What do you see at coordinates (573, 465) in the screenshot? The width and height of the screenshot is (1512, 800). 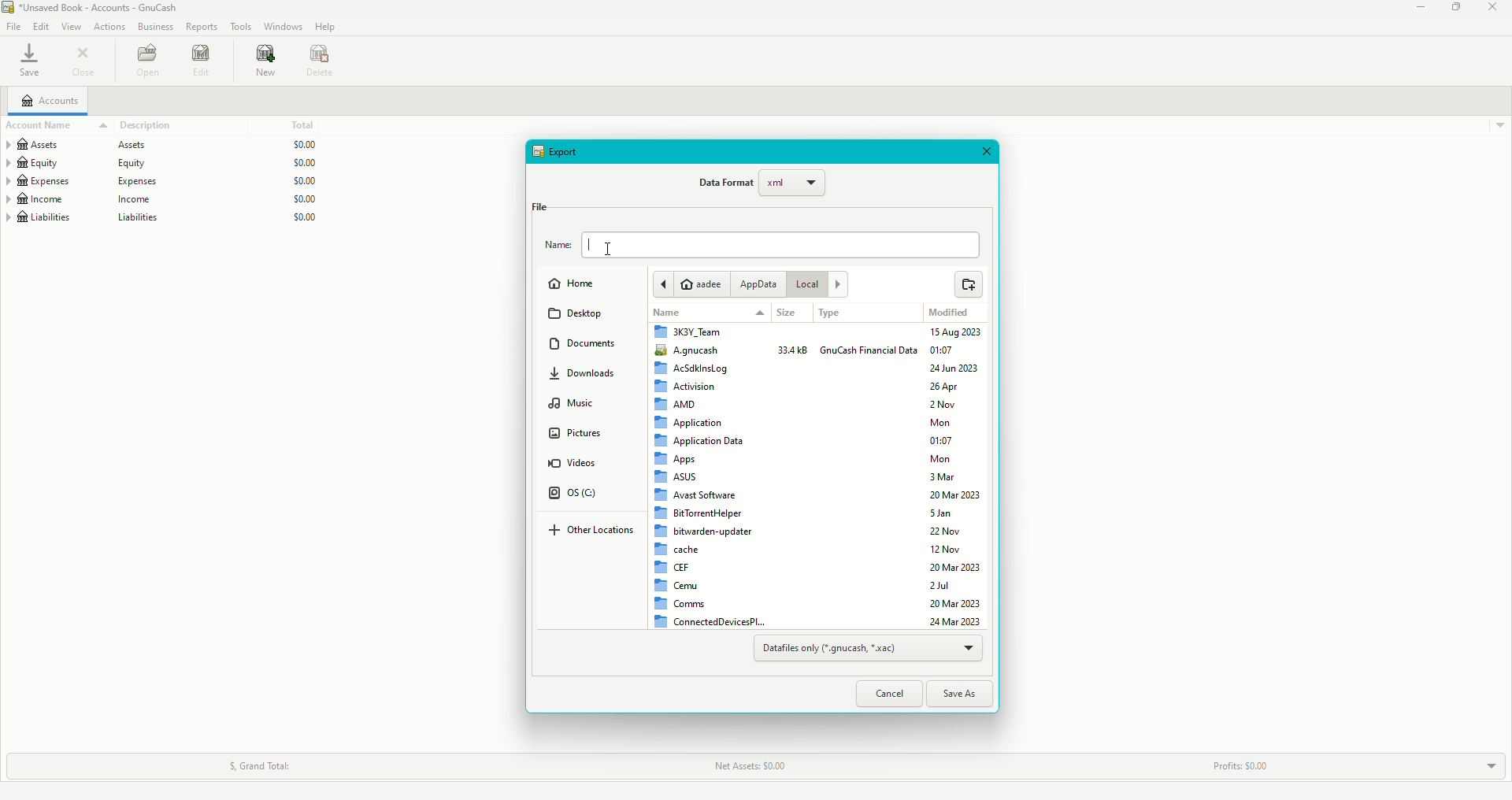 I see `Videos` at bounding box center [573, 465].